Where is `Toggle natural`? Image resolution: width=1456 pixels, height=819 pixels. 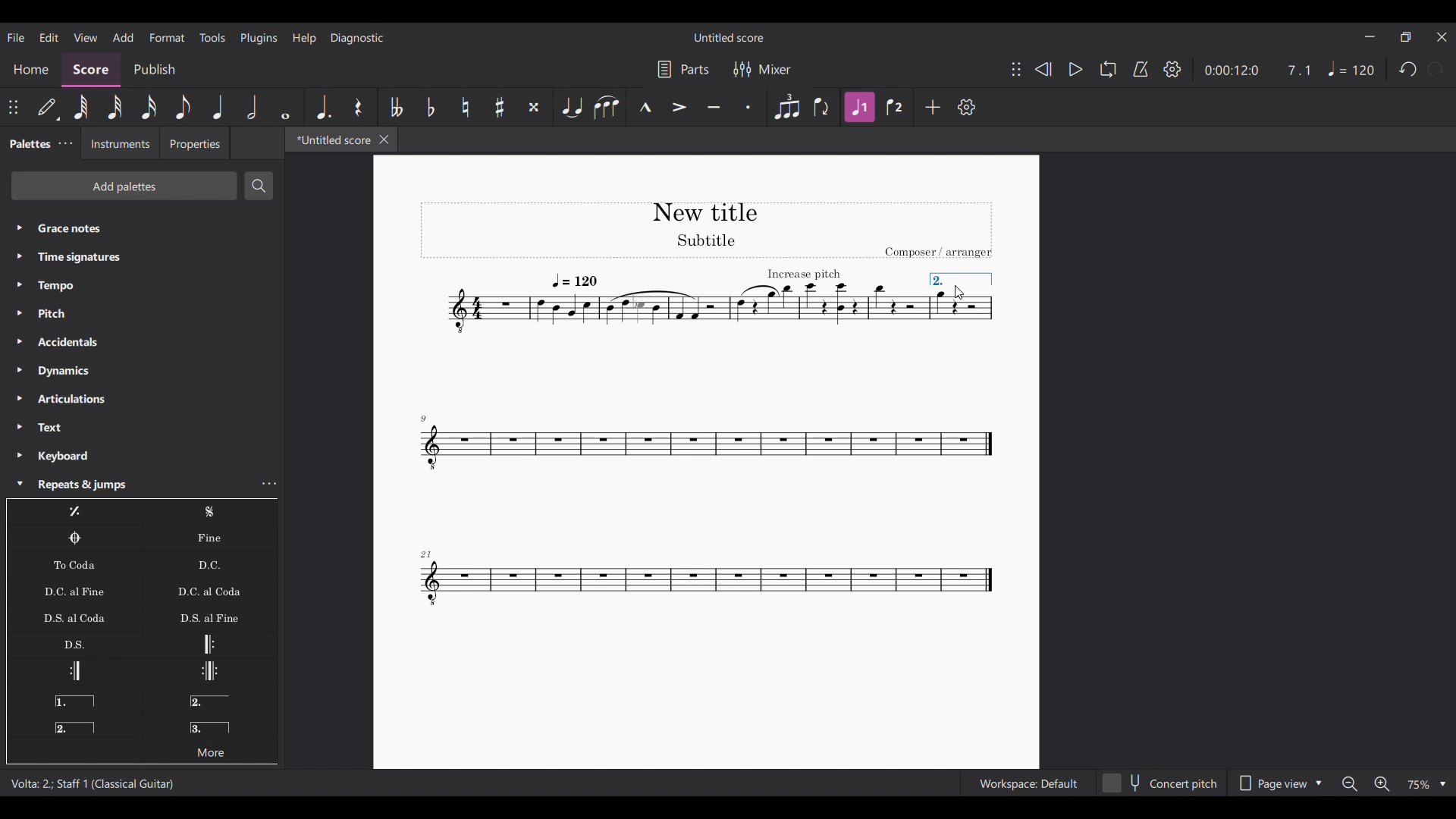 Toggle natural is located at coordinates (465, 107).